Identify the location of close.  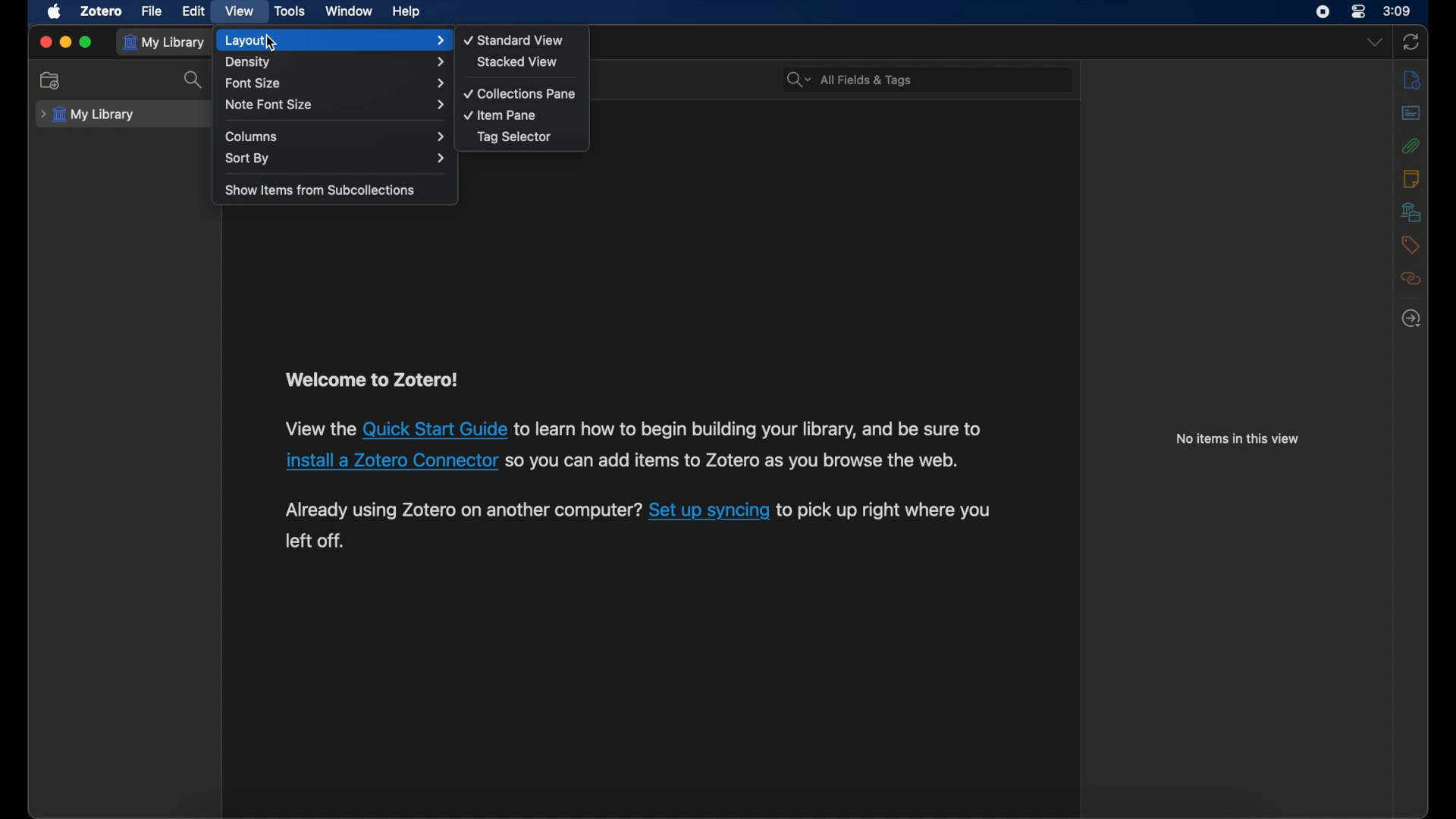
(45, 42).